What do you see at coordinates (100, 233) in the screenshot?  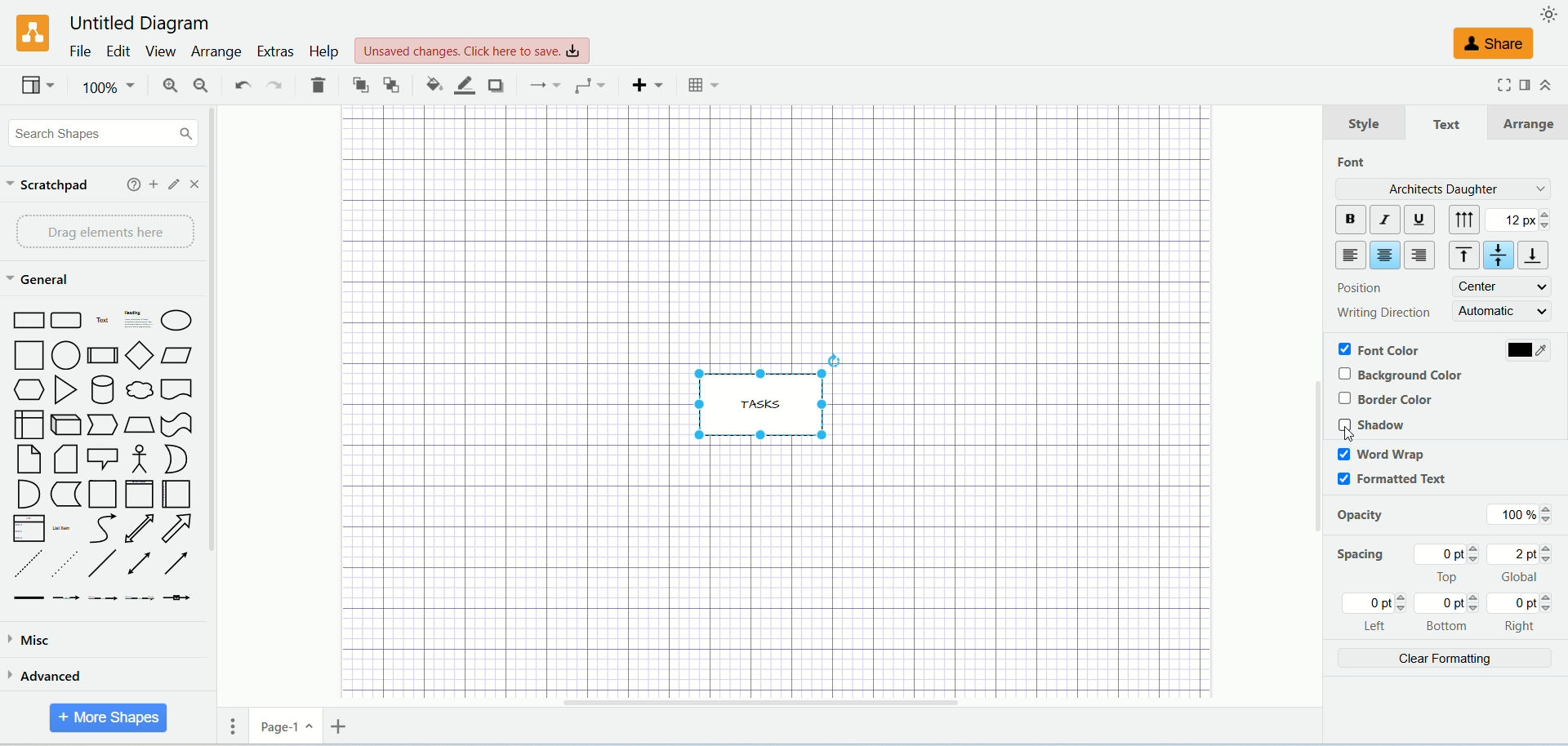 I see `drag elements here` at bounding box center [100, 233].